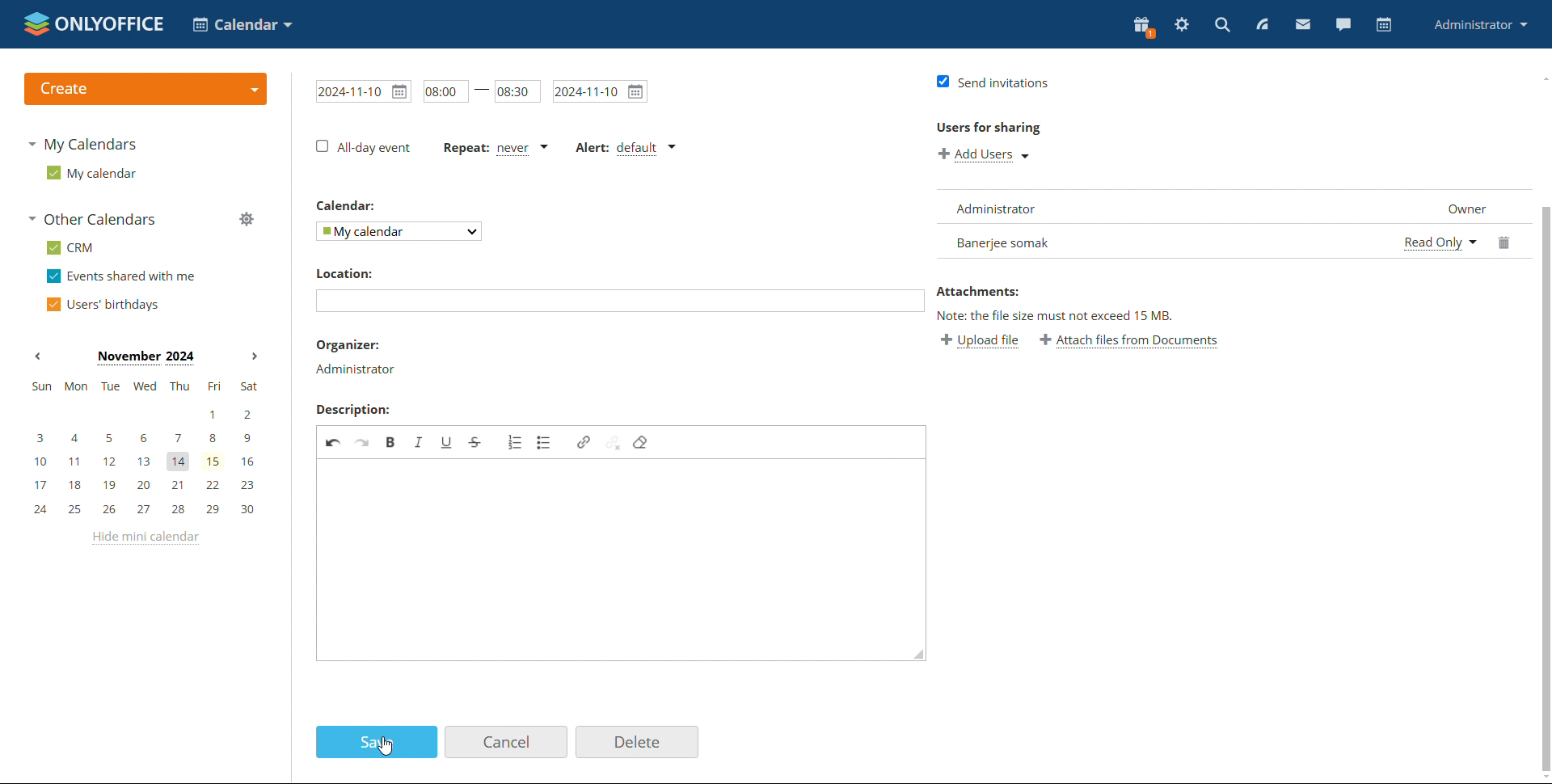 Image resolution: width=1552 pixels, height=784 pixels. What do you see at coordinates (603, 306) in the screenshot?
I see `add location` at bounding box center [603, 306].